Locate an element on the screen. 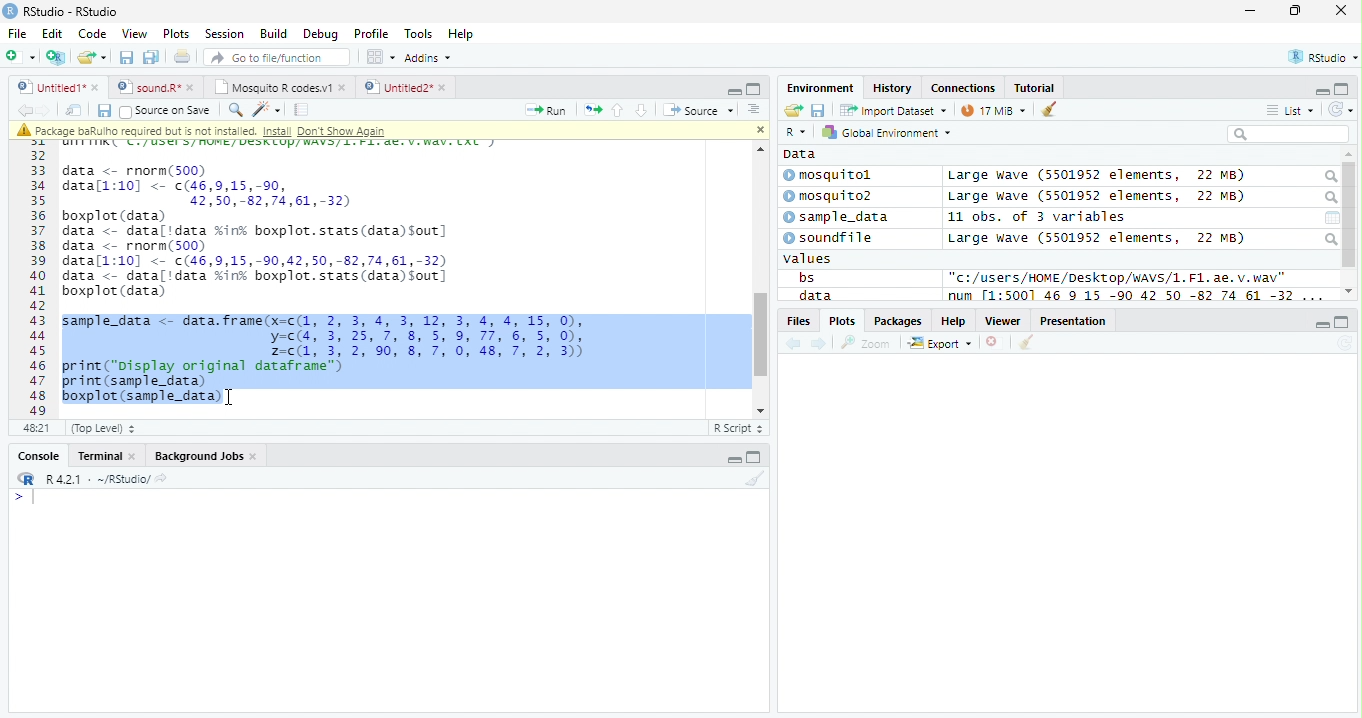 This screenshot has width=1362, height=718. search is located at coordinates (1329, 198).